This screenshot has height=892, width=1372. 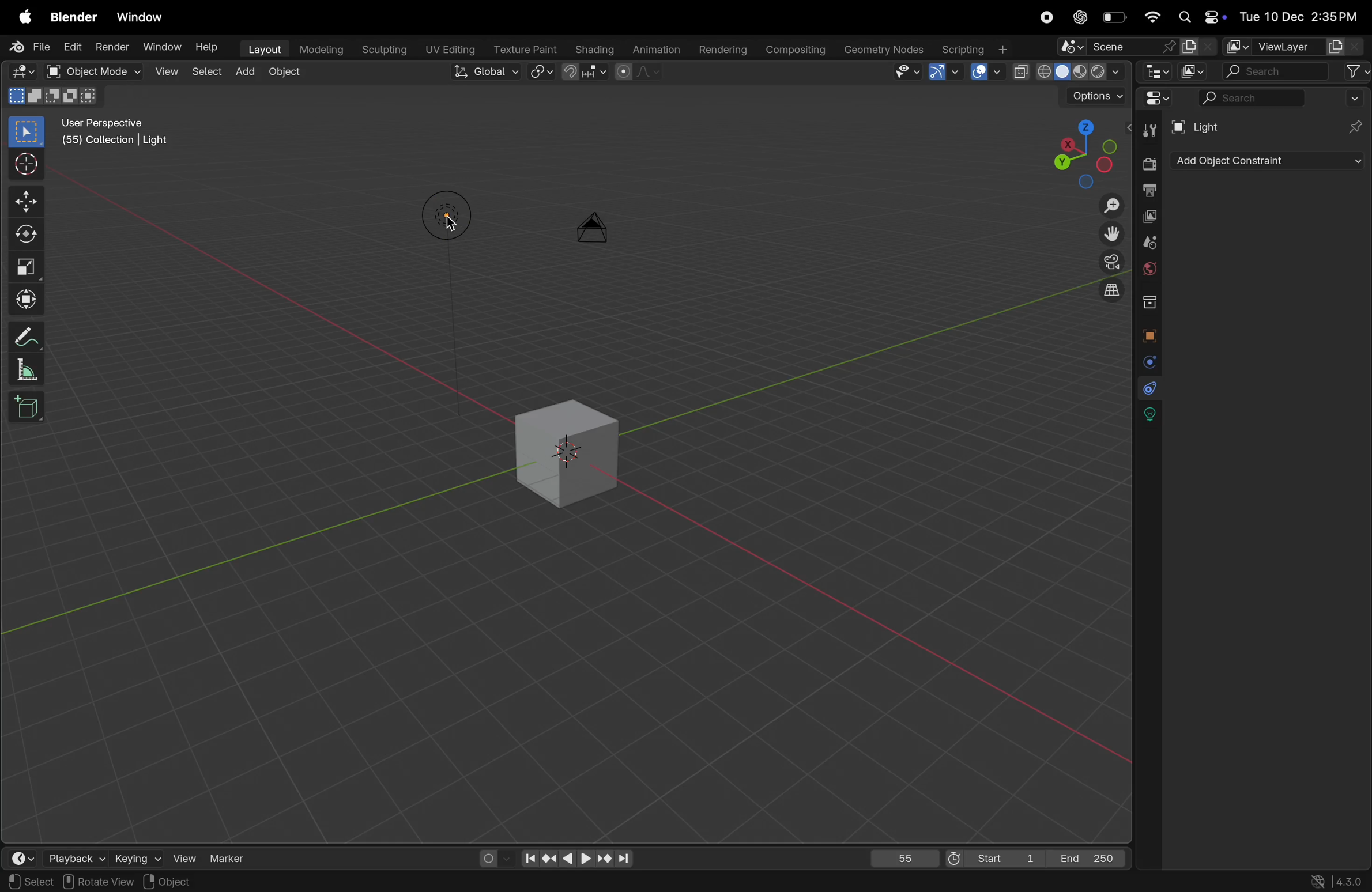 What do you see at coordinates (1277, 71) in the screenshot?
I see `search` at bounding box center [1277, 71].